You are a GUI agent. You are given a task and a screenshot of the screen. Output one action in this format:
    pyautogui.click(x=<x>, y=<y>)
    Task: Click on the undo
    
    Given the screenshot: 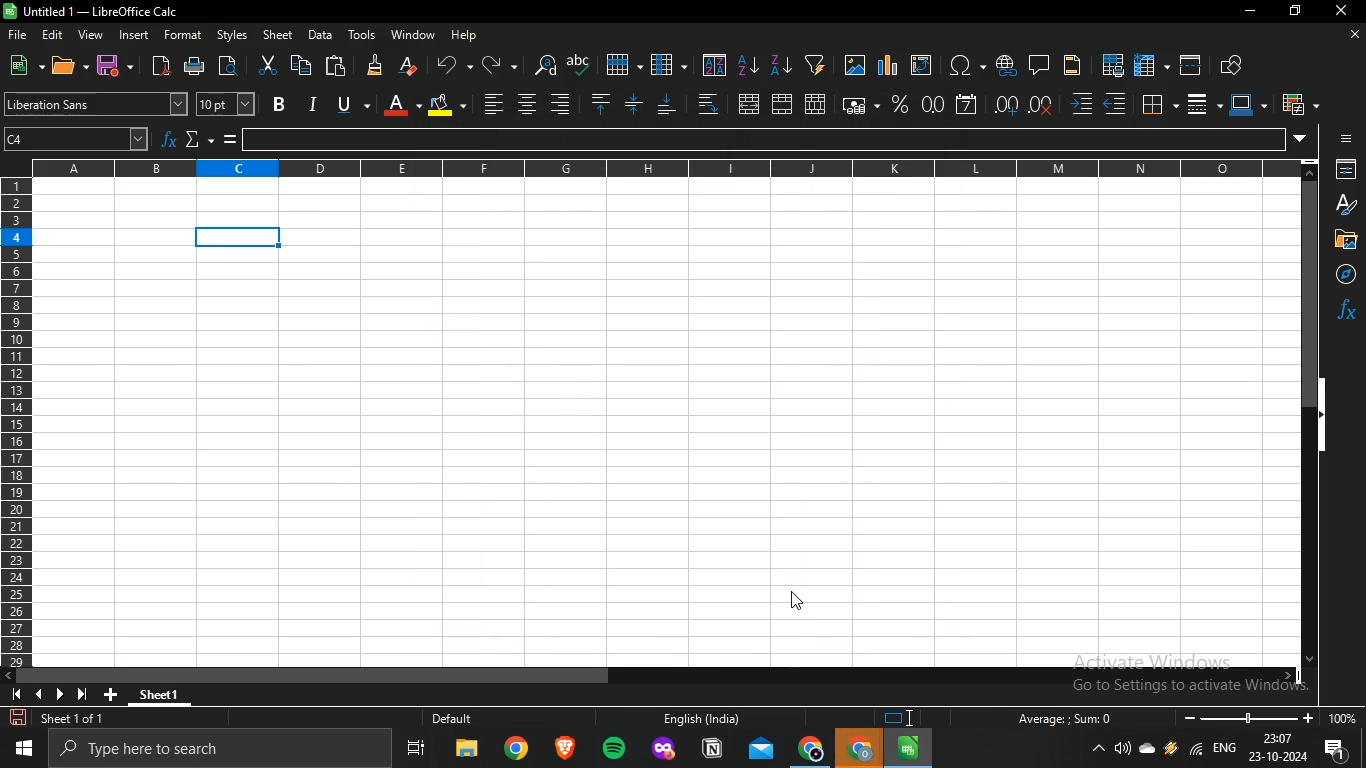 What is the action you would take?
    pyautogui.click(x=450, y=63)
    